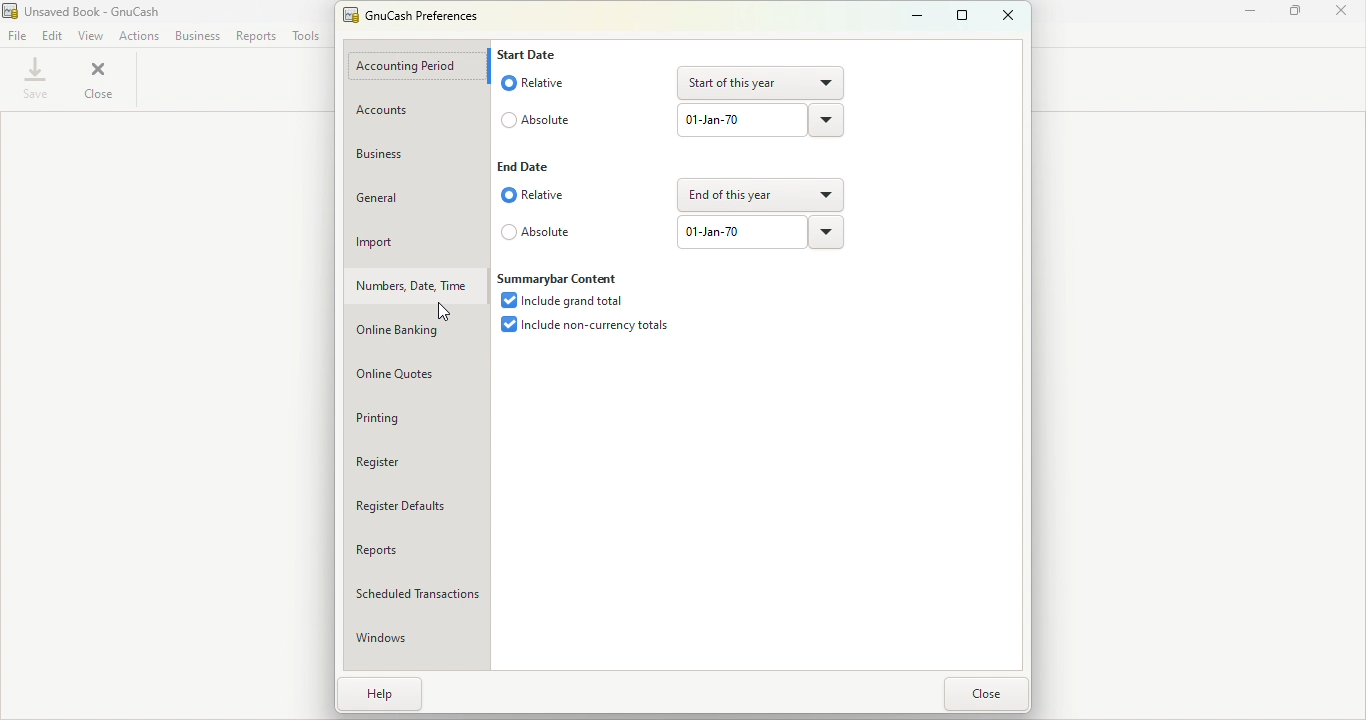 This screenshot has width=1366, height=720. I want to click on Relative, so click(533, 195).